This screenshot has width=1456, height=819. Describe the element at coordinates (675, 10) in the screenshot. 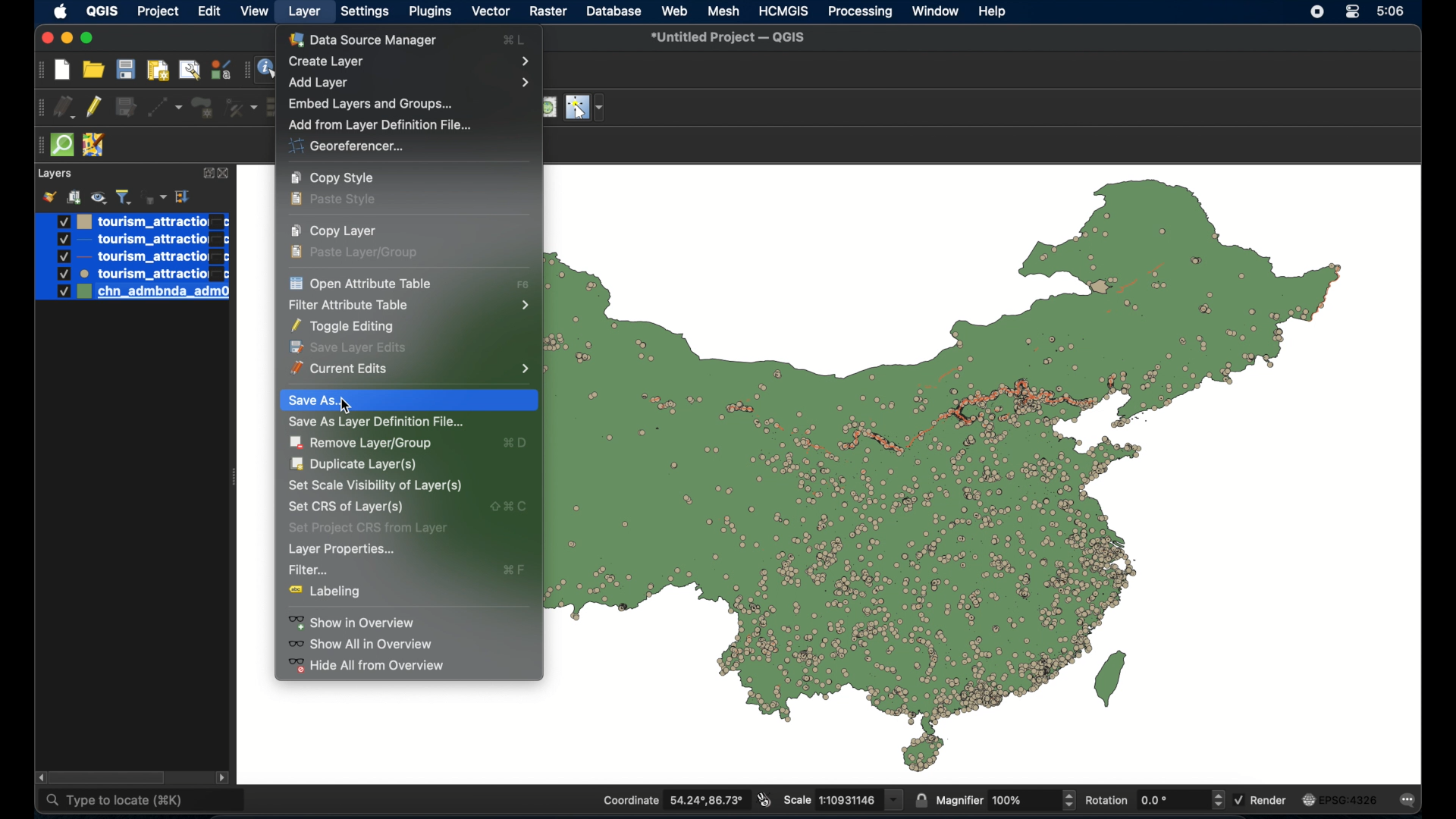

I see `web` at that location.